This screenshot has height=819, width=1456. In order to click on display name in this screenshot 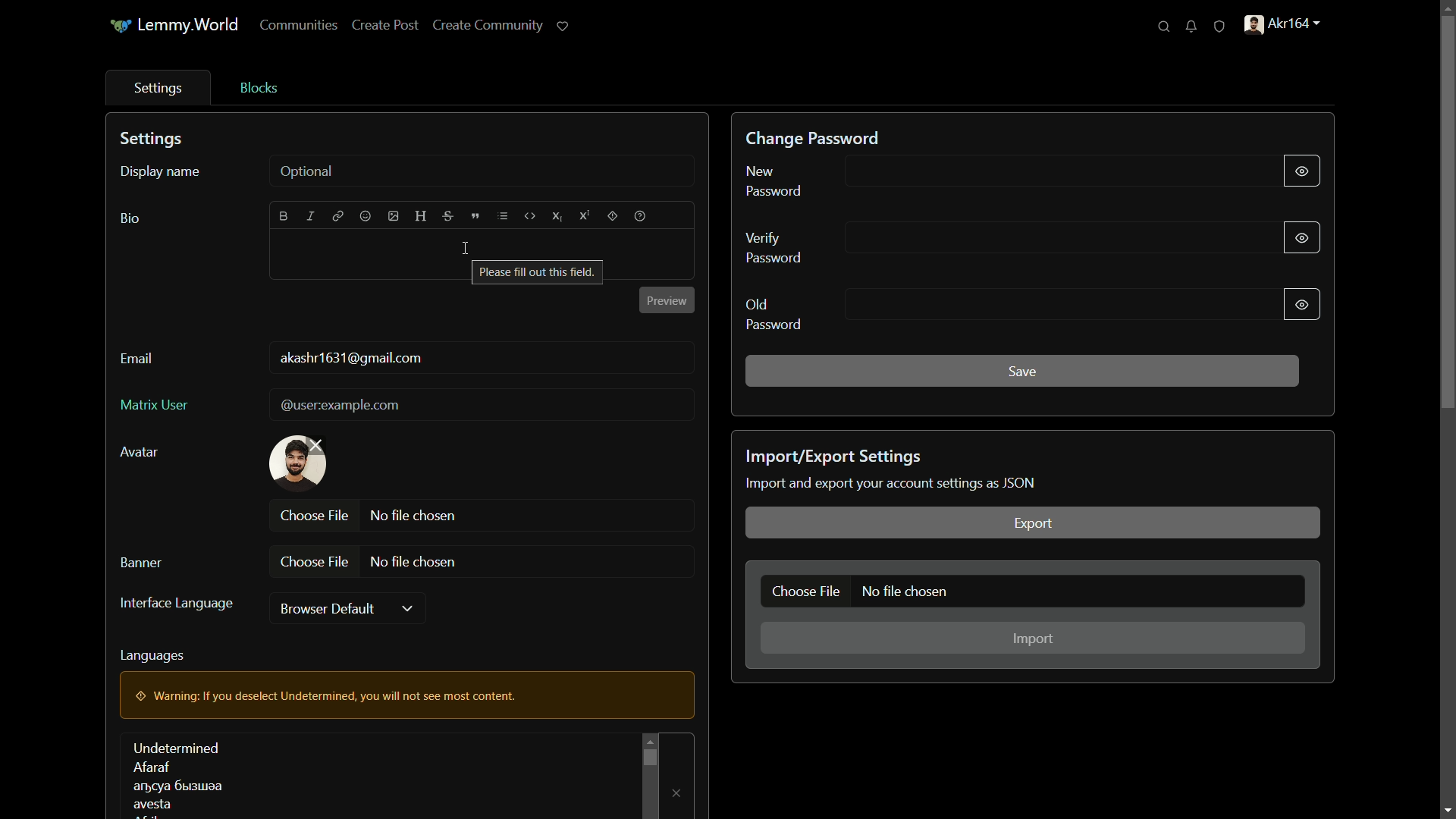, I will do `click(161, 173)`.